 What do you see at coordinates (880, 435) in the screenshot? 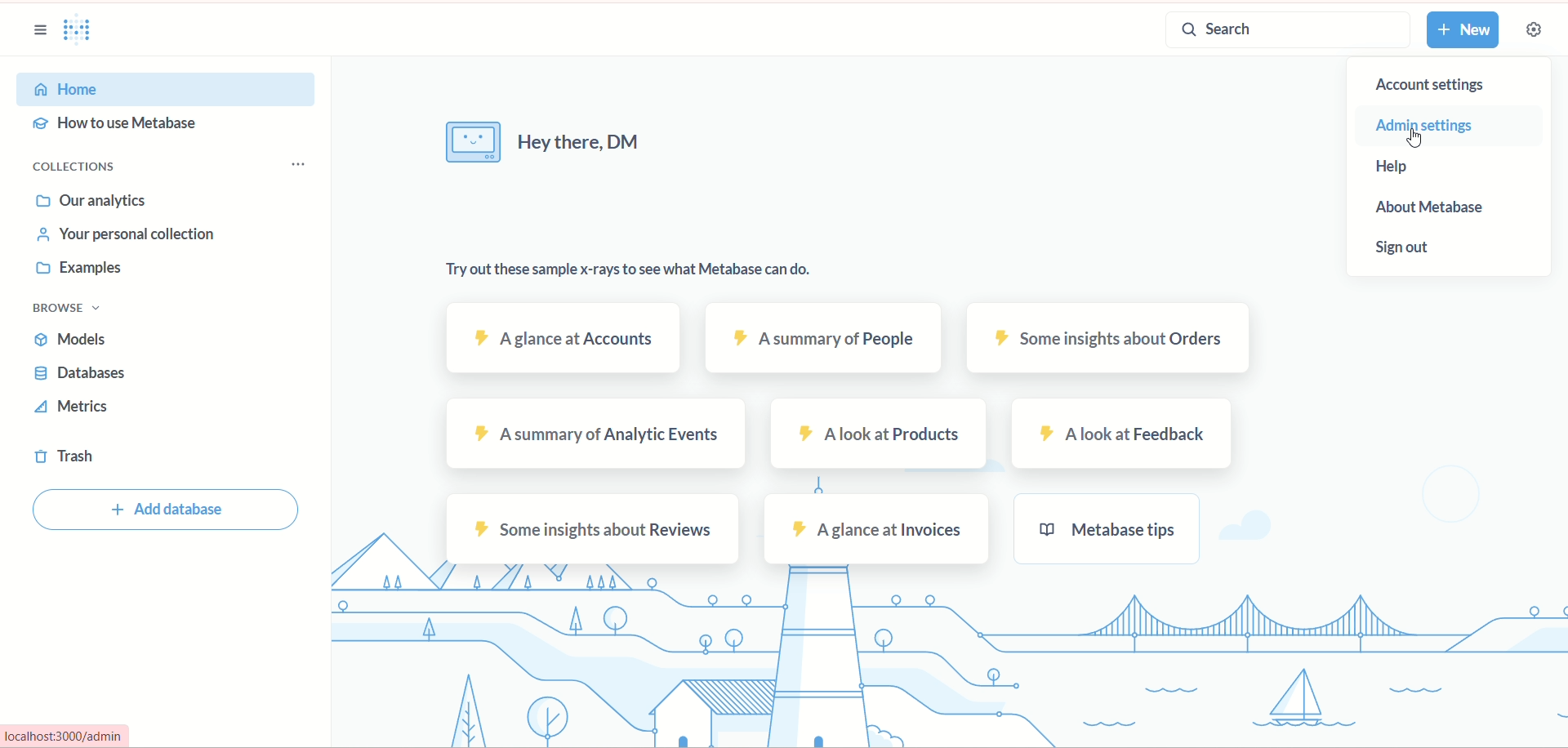
I see `products` at bounding box center [880, 435].